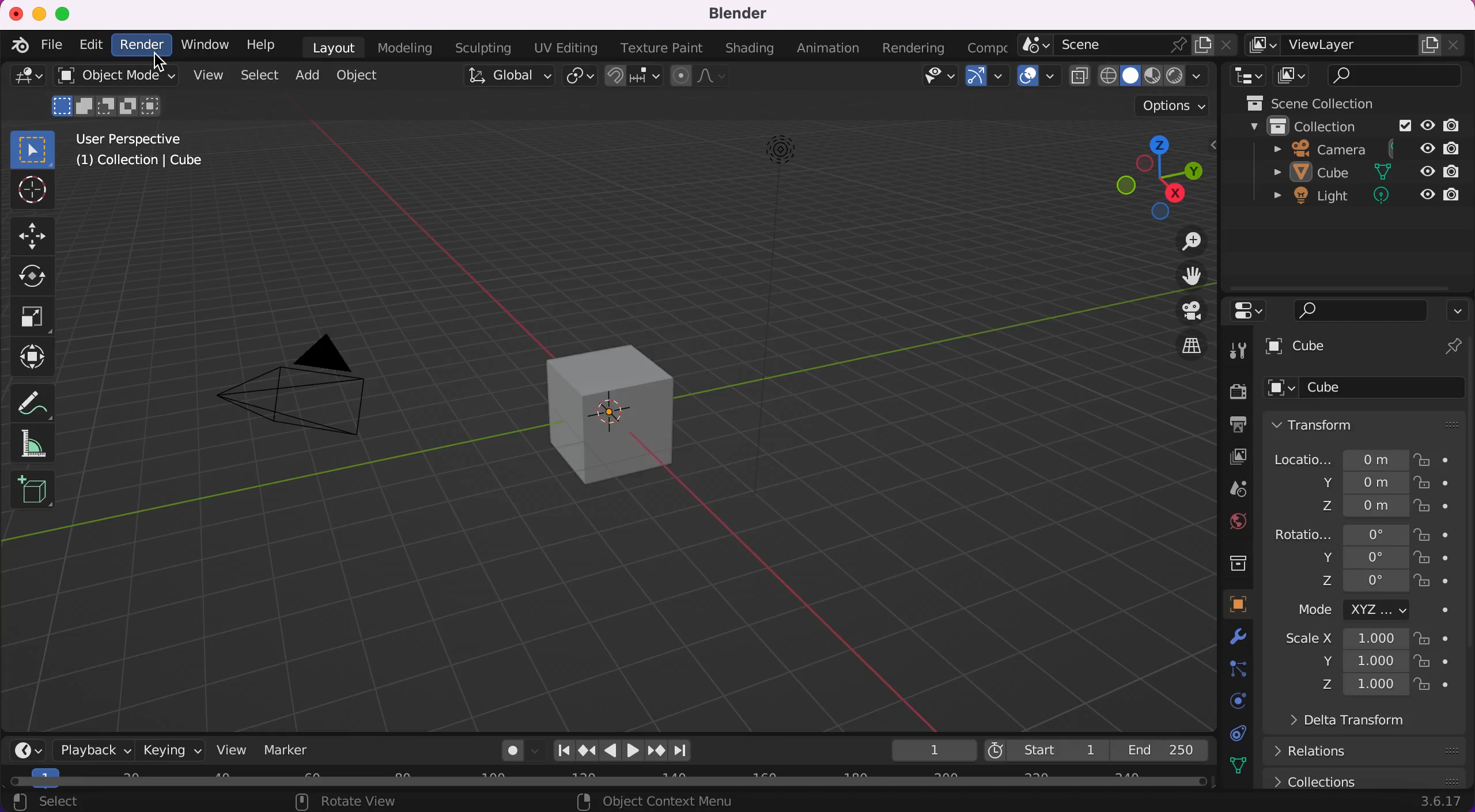  I want to click on layout, so click(330, 48).